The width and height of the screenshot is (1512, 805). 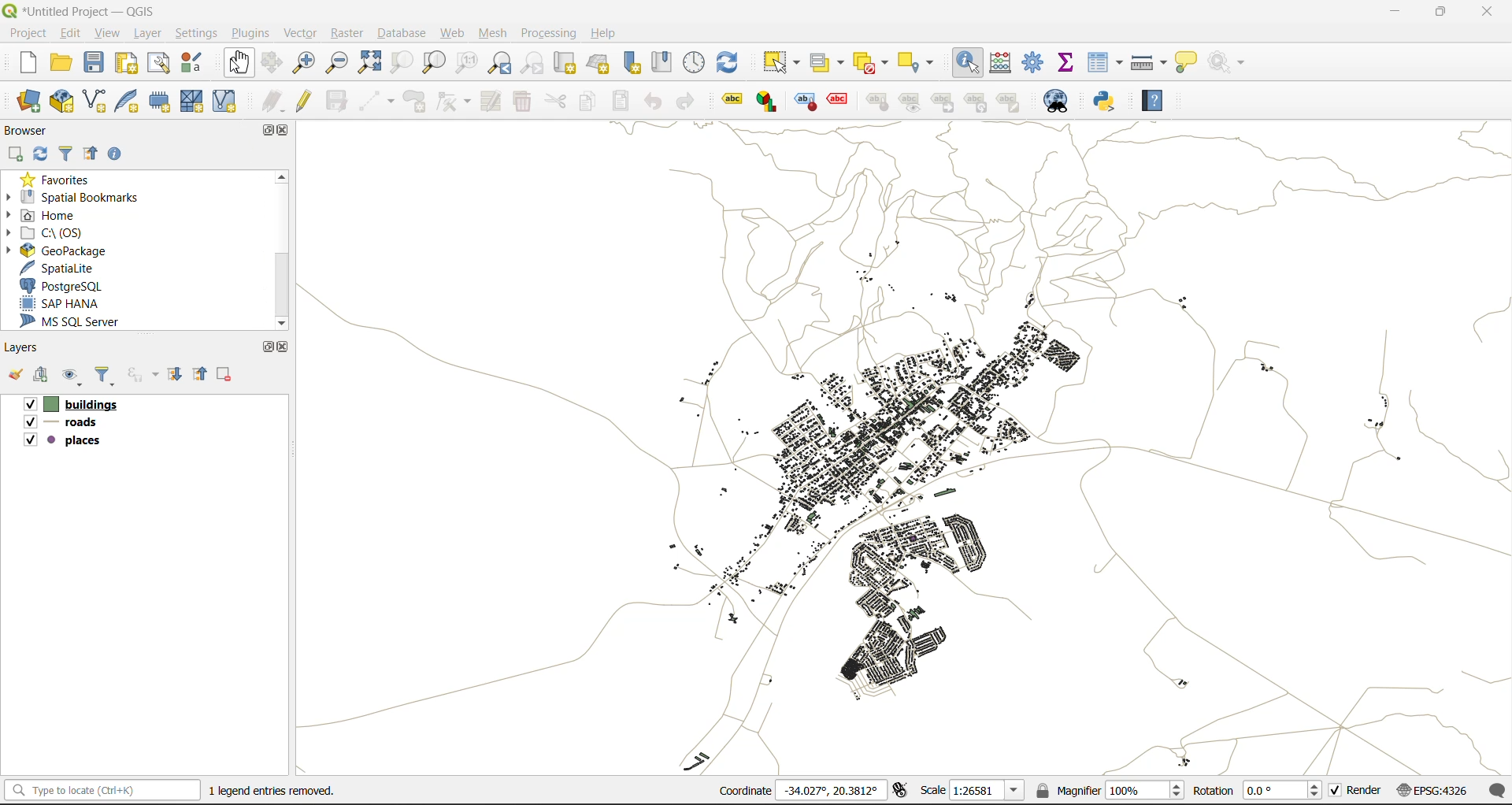 I want to click on zoom selection, so click(x=406, y=65).